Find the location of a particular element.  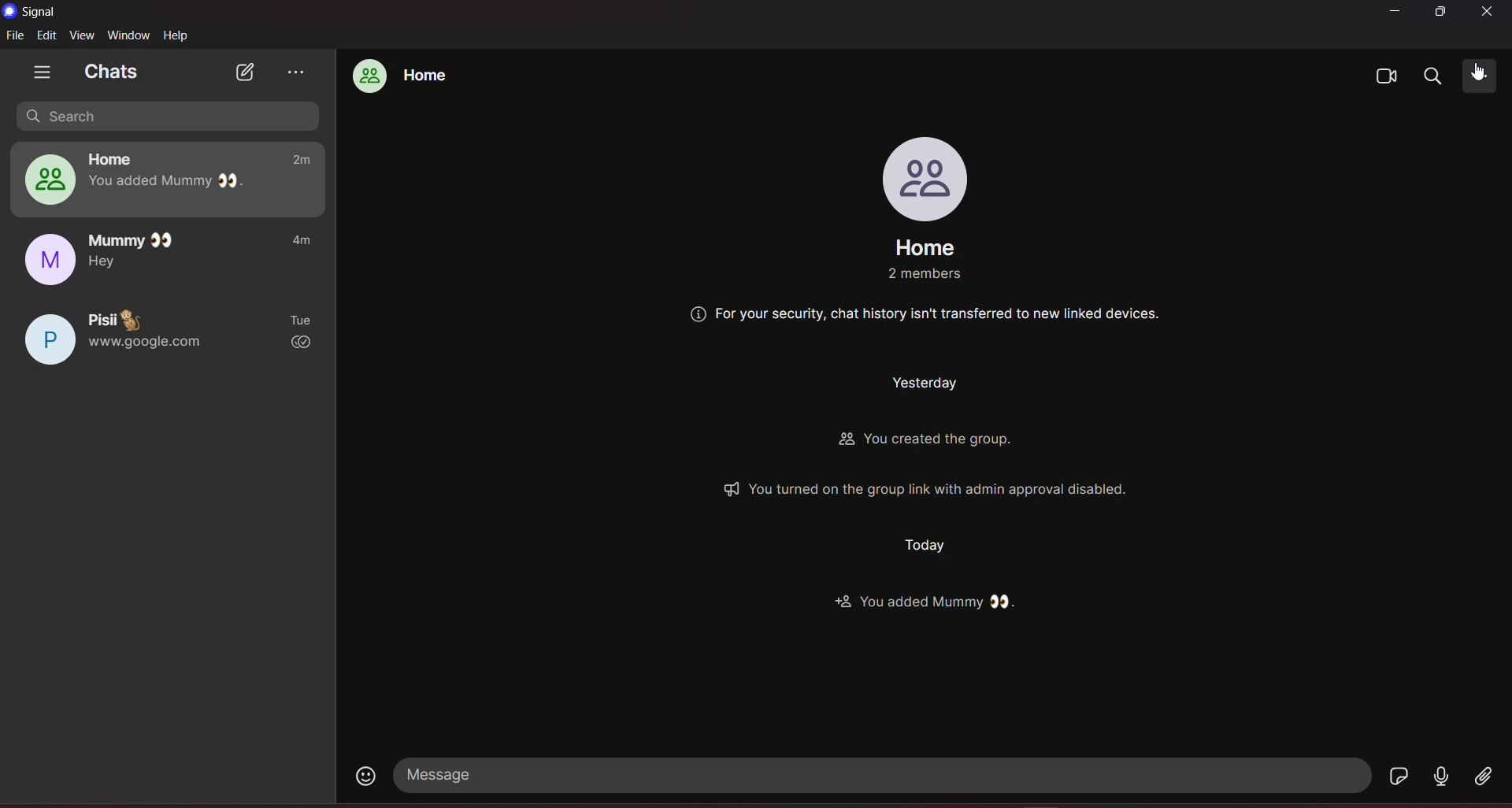

profile is located at coordinates (923, 176).